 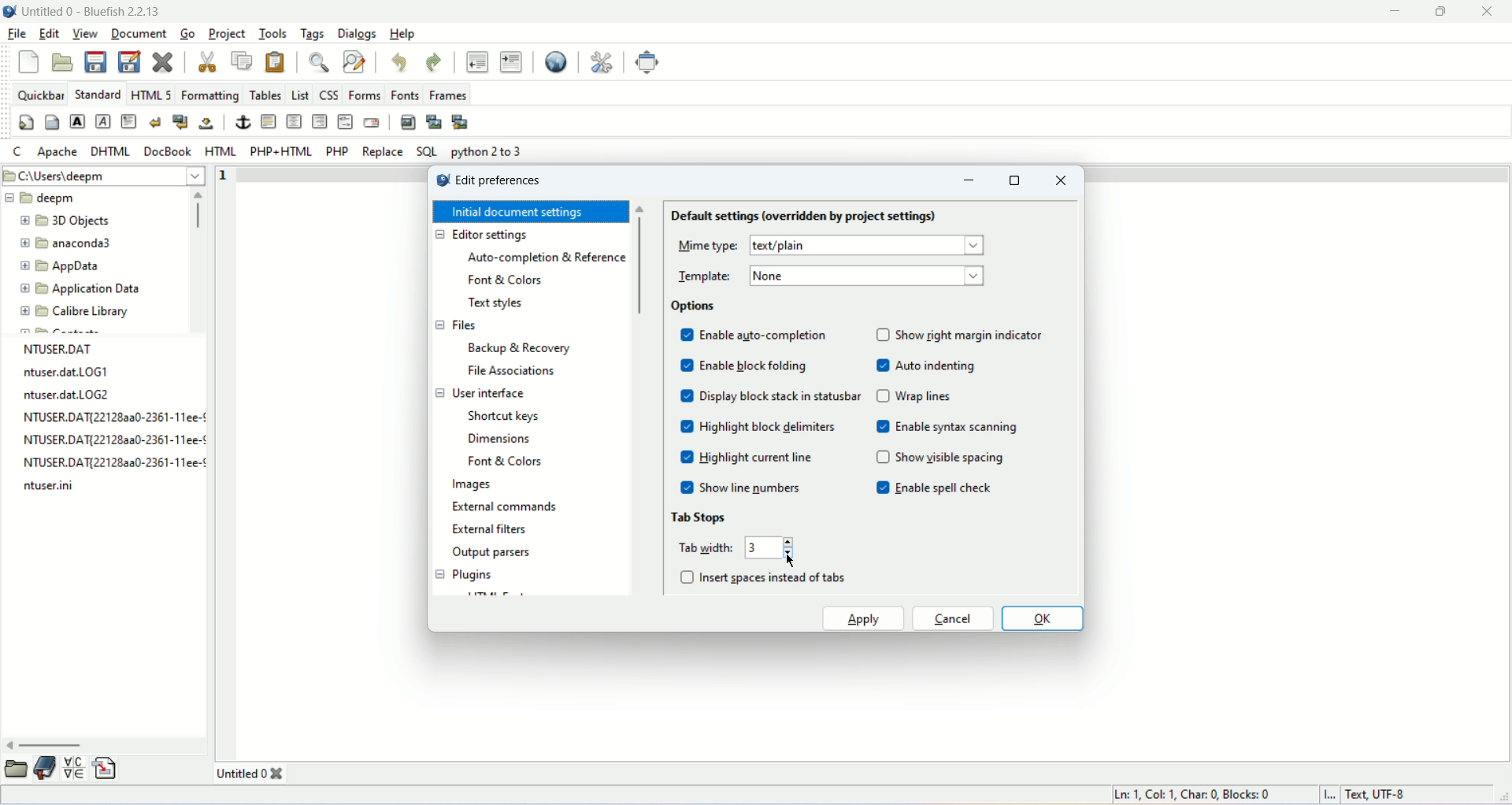 What do you see at coordinates (498, 306) in the screenshot?
I see `text styles` at bounding box center [498, 306].